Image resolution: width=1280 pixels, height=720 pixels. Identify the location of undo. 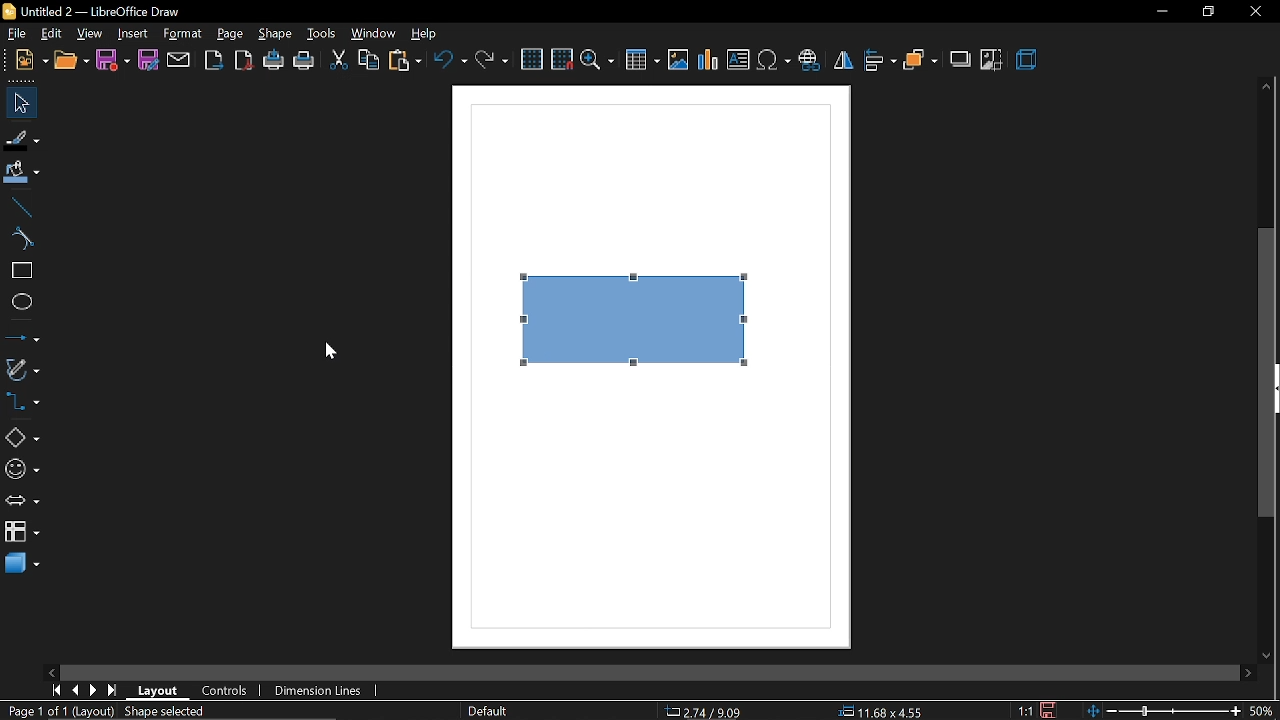
(449, 60).